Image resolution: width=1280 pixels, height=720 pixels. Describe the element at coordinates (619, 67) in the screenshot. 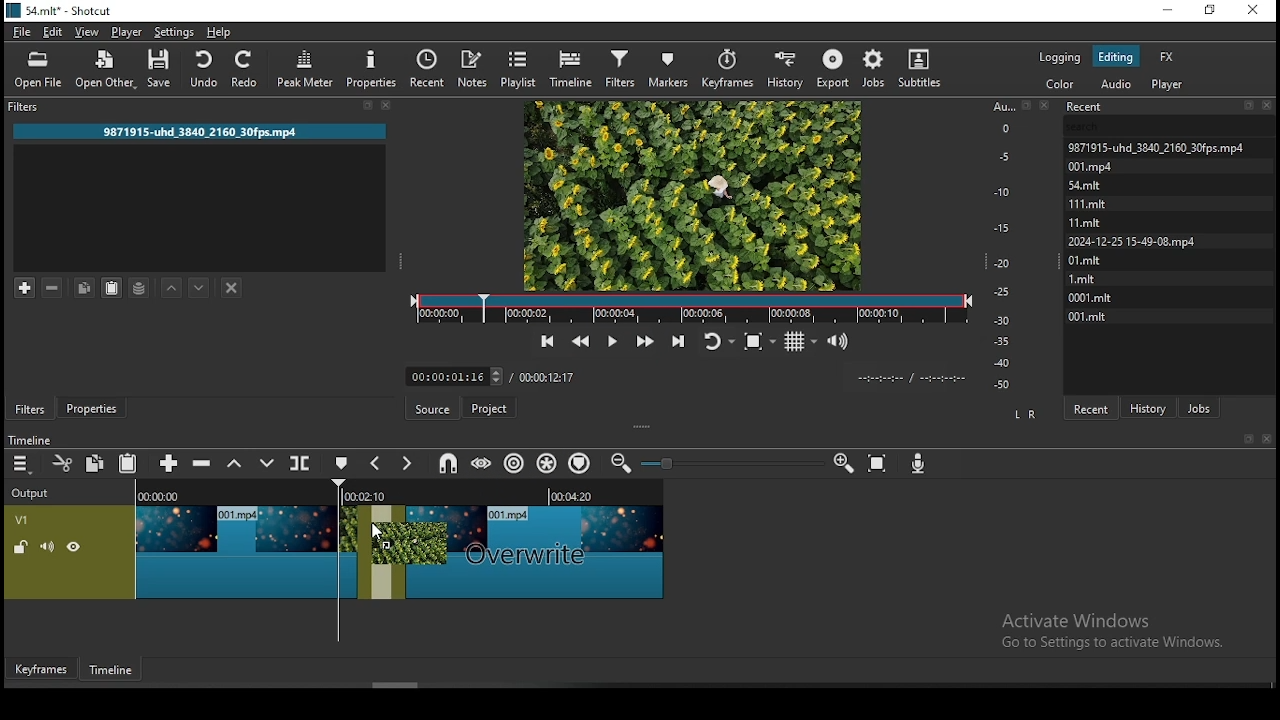

I see `filters` at that location.